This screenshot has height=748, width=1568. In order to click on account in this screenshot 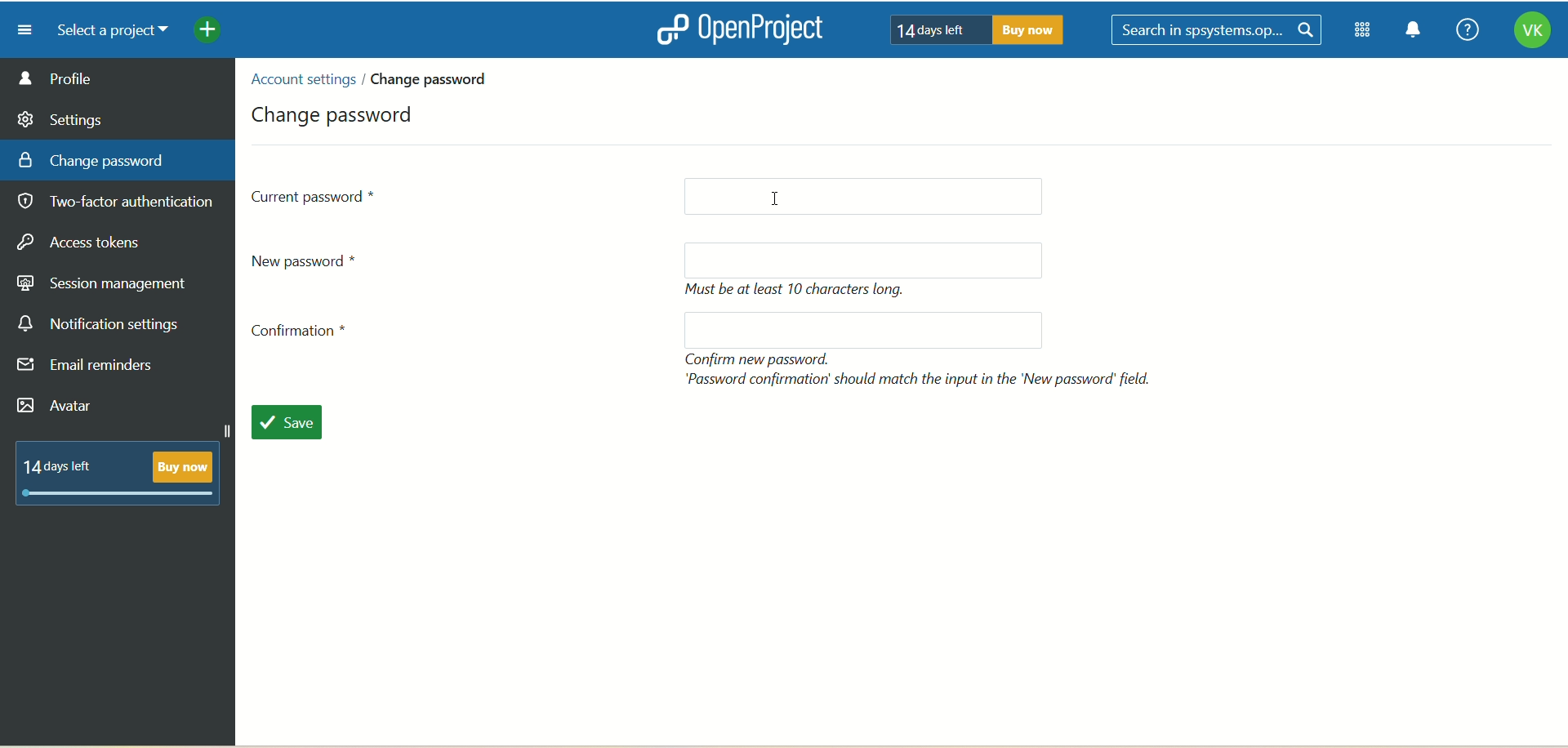, I will do `click(1531, 33)`.